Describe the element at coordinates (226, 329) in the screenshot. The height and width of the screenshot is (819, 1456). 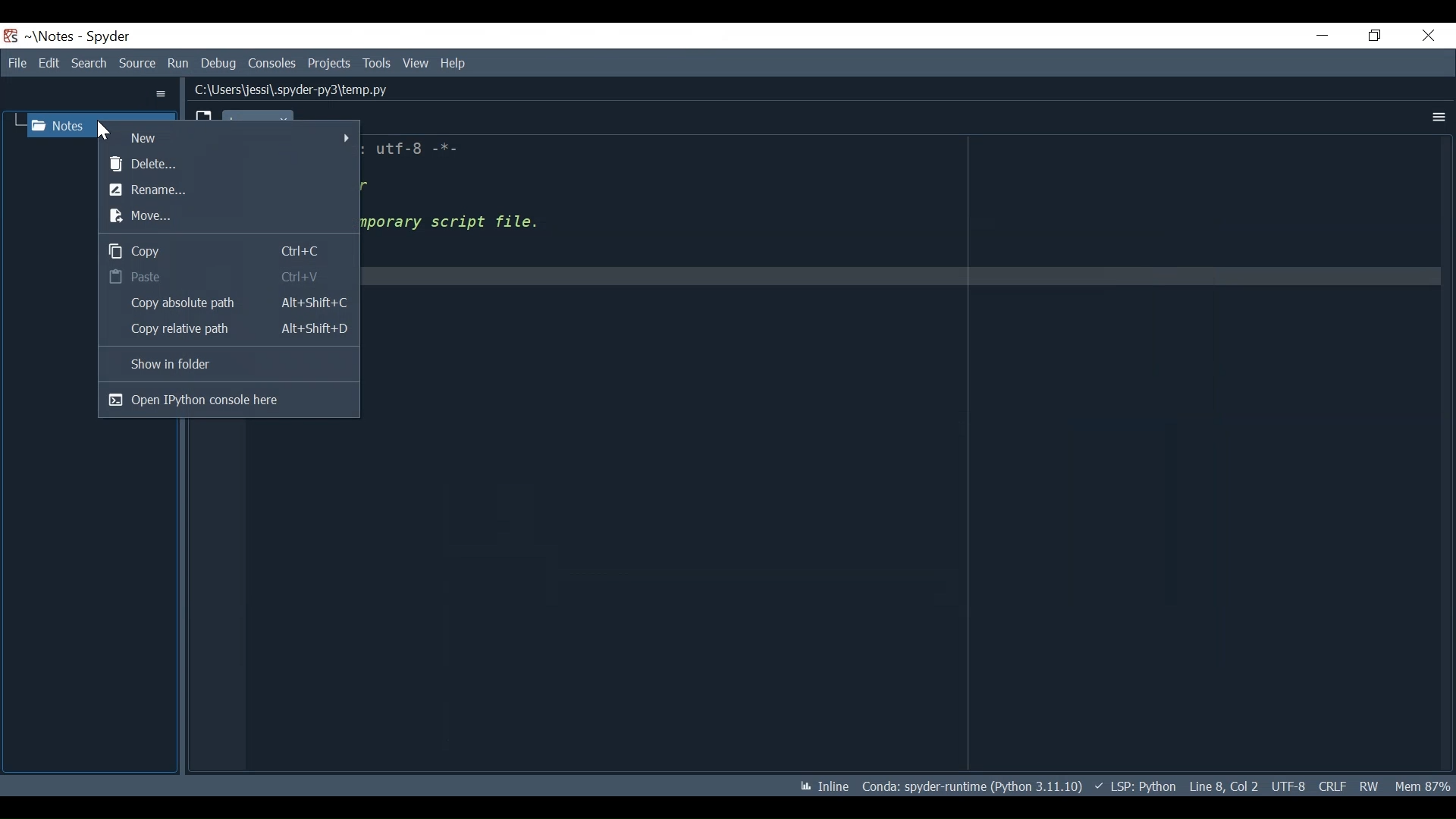
I see `Copy relative path` at that location.